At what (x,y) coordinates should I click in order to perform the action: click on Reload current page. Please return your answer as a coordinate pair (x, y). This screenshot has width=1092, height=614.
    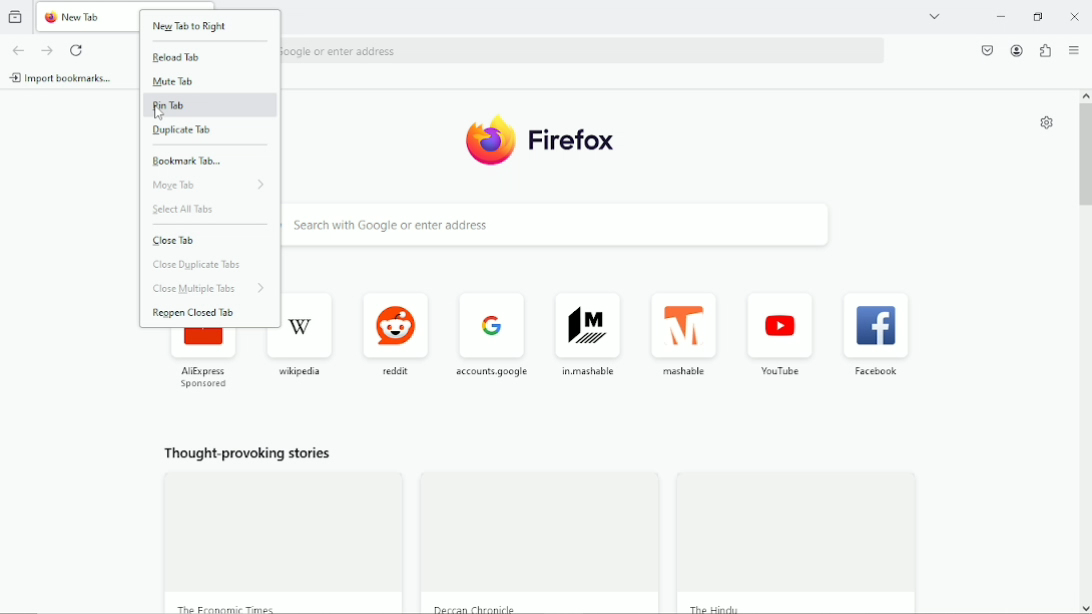
    Looking at the image, I should click on (75, 49).